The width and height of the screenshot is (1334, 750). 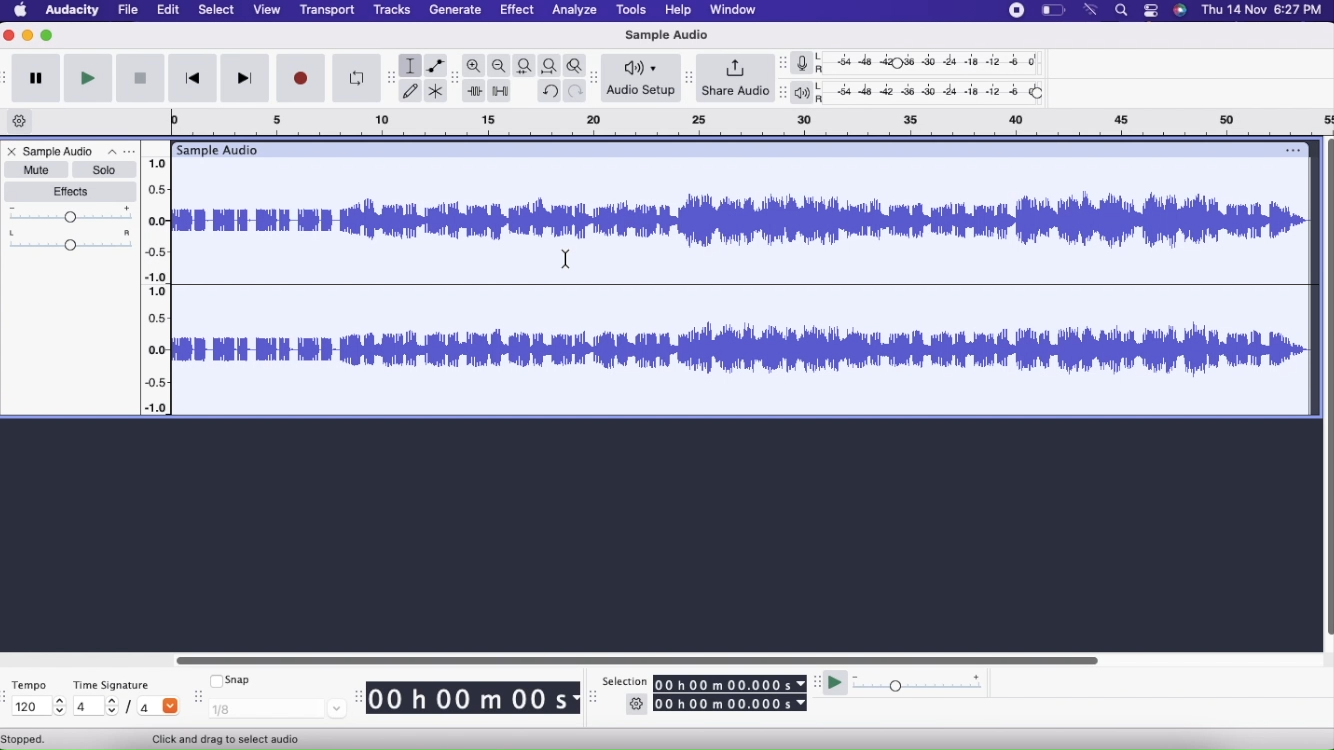 What do you see at coordinates (567, 260) in the screenshot?
I see `Cursor` at bounding box center [567, 260].